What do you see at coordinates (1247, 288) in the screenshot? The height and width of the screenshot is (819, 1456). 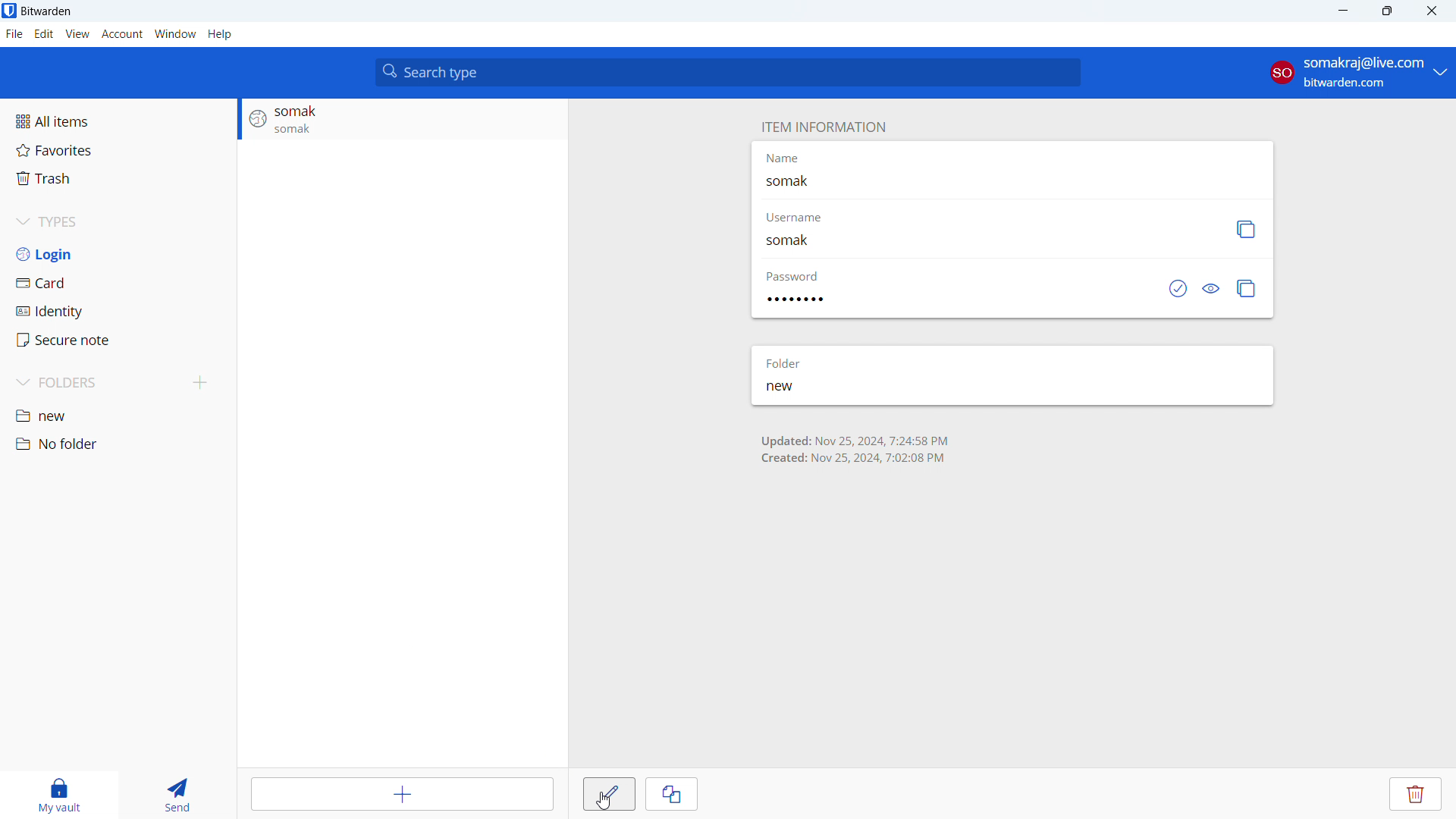 I see `copy password` at bounding box center [1247, 288].